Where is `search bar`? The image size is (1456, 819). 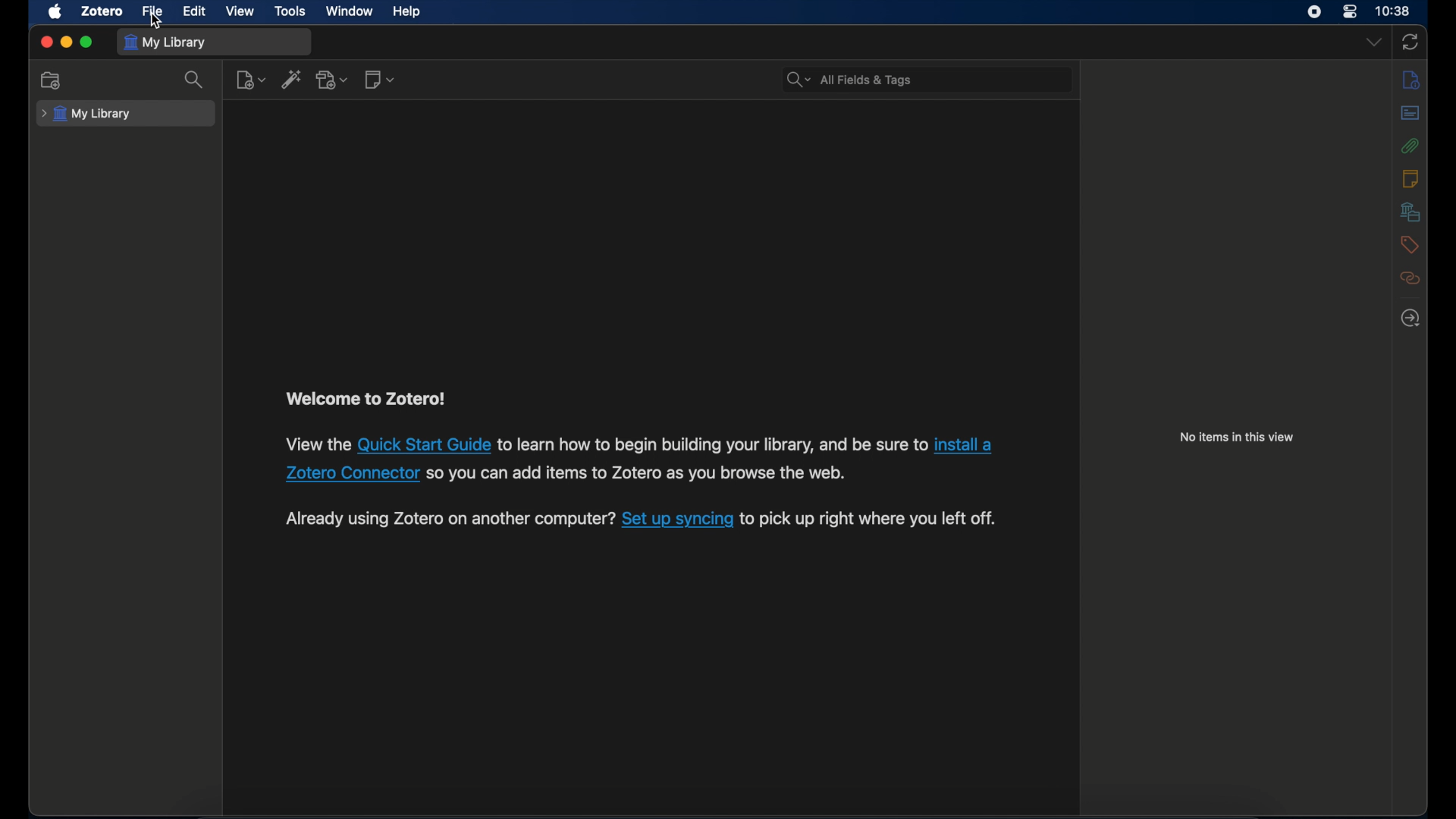 search bar is located at coordinates (921, 80).